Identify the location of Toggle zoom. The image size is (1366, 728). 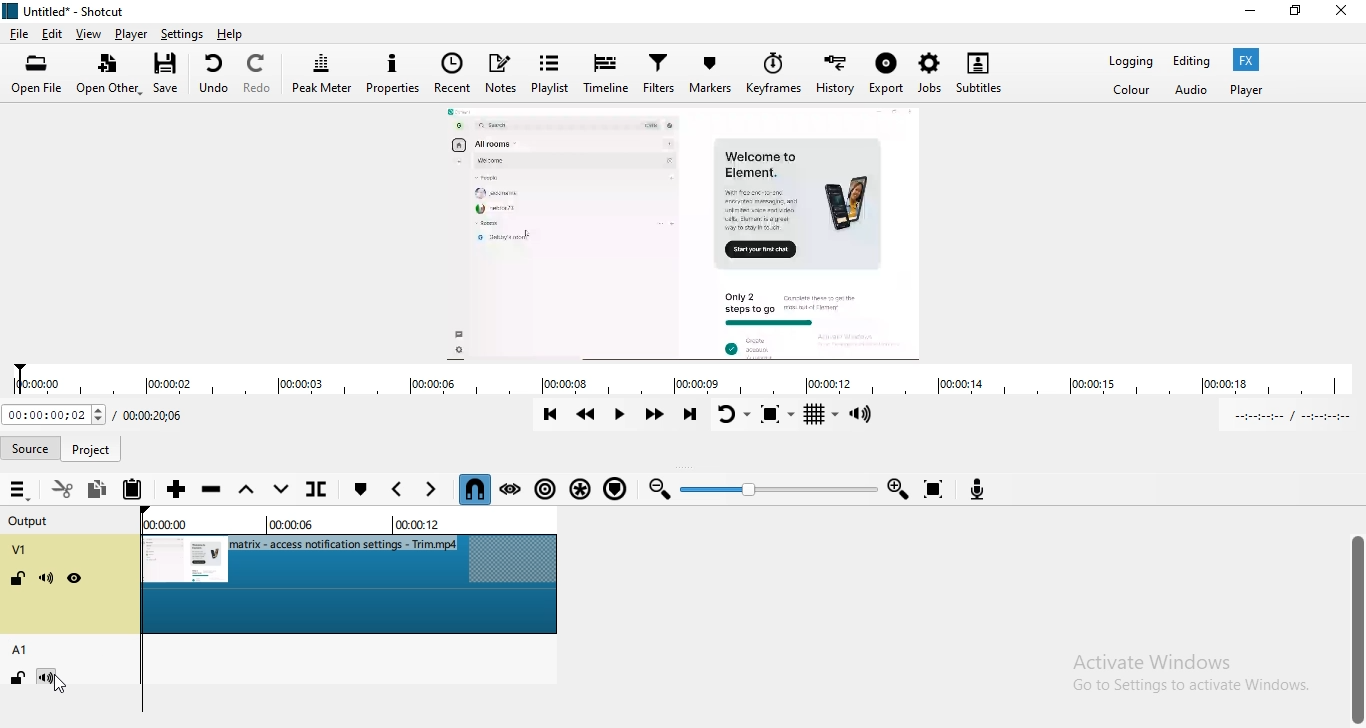
(778, 415).